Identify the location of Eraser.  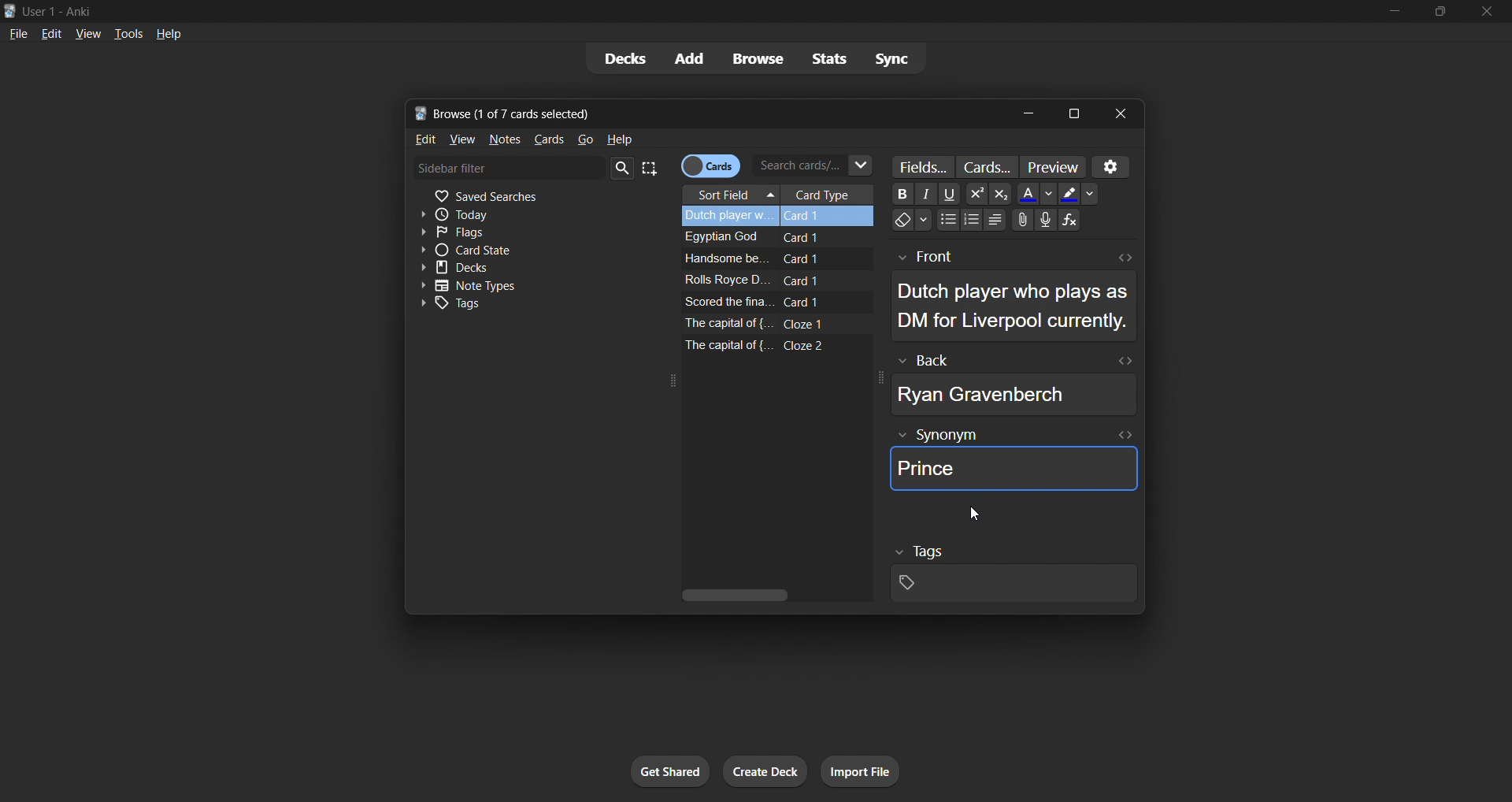
(897, 222).